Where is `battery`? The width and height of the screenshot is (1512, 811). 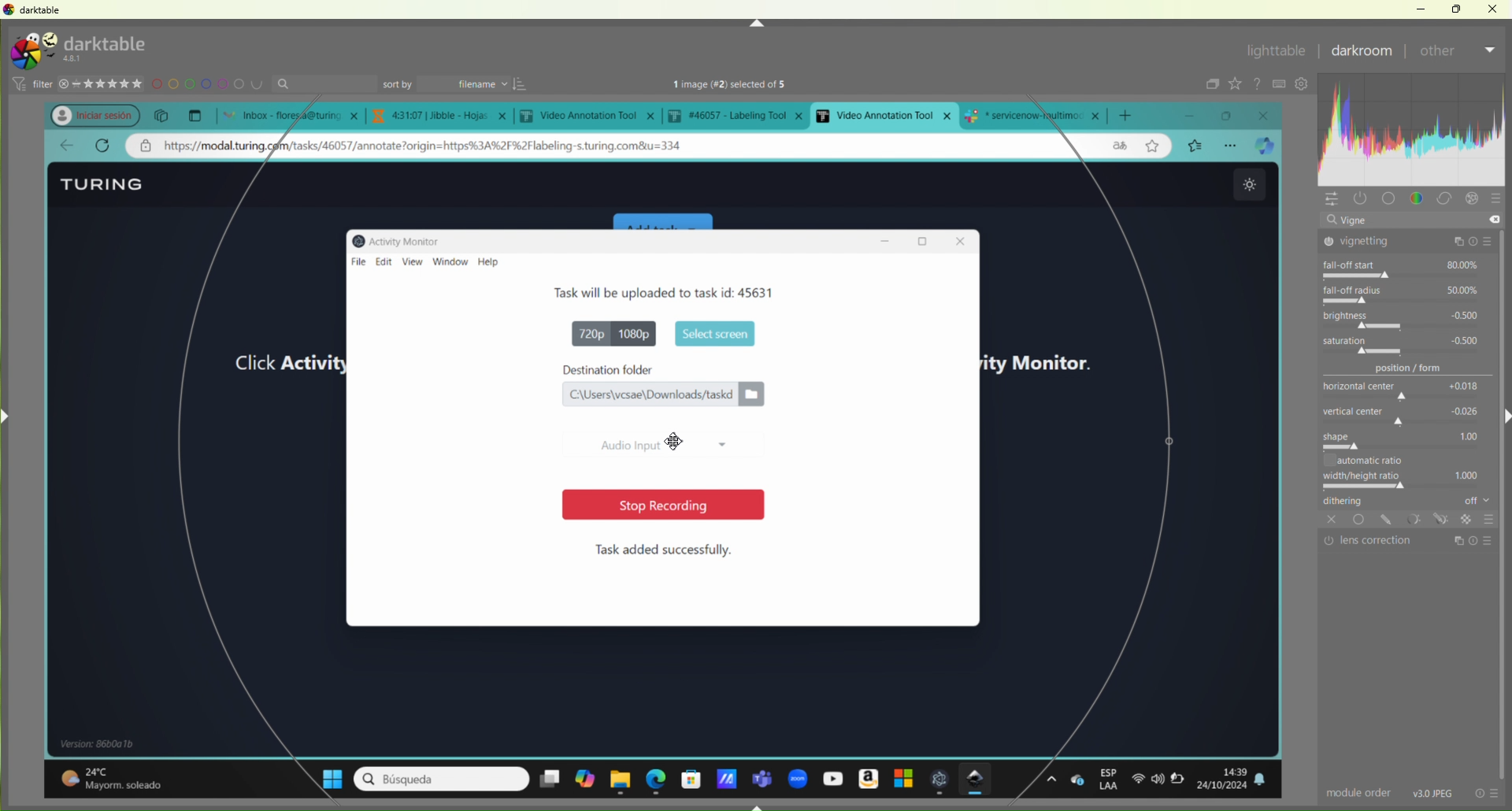 battery is located at coordinates (1183, 783).